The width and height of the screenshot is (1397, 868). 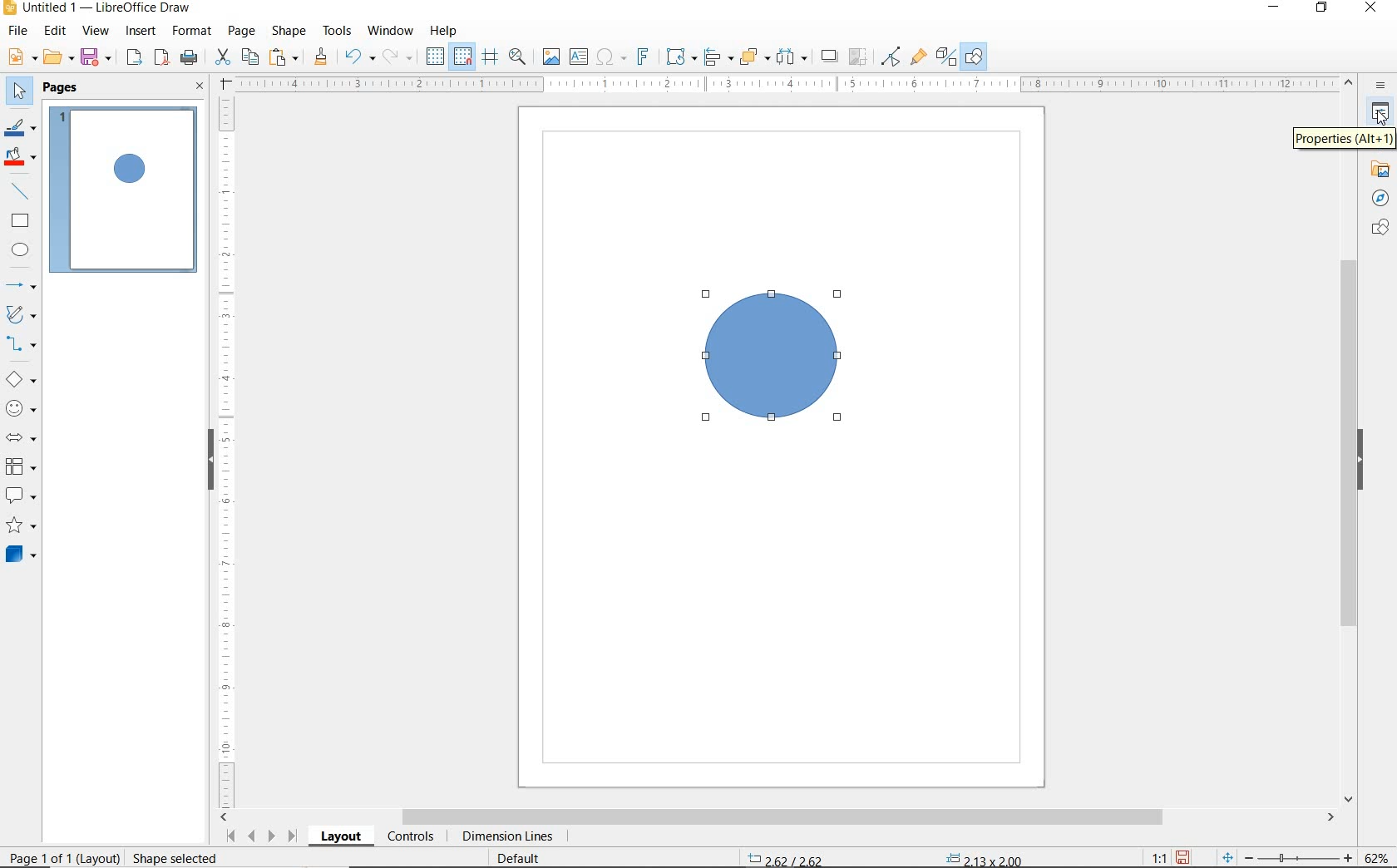 I want to click on Shapes, so click(x=1380, y=230).